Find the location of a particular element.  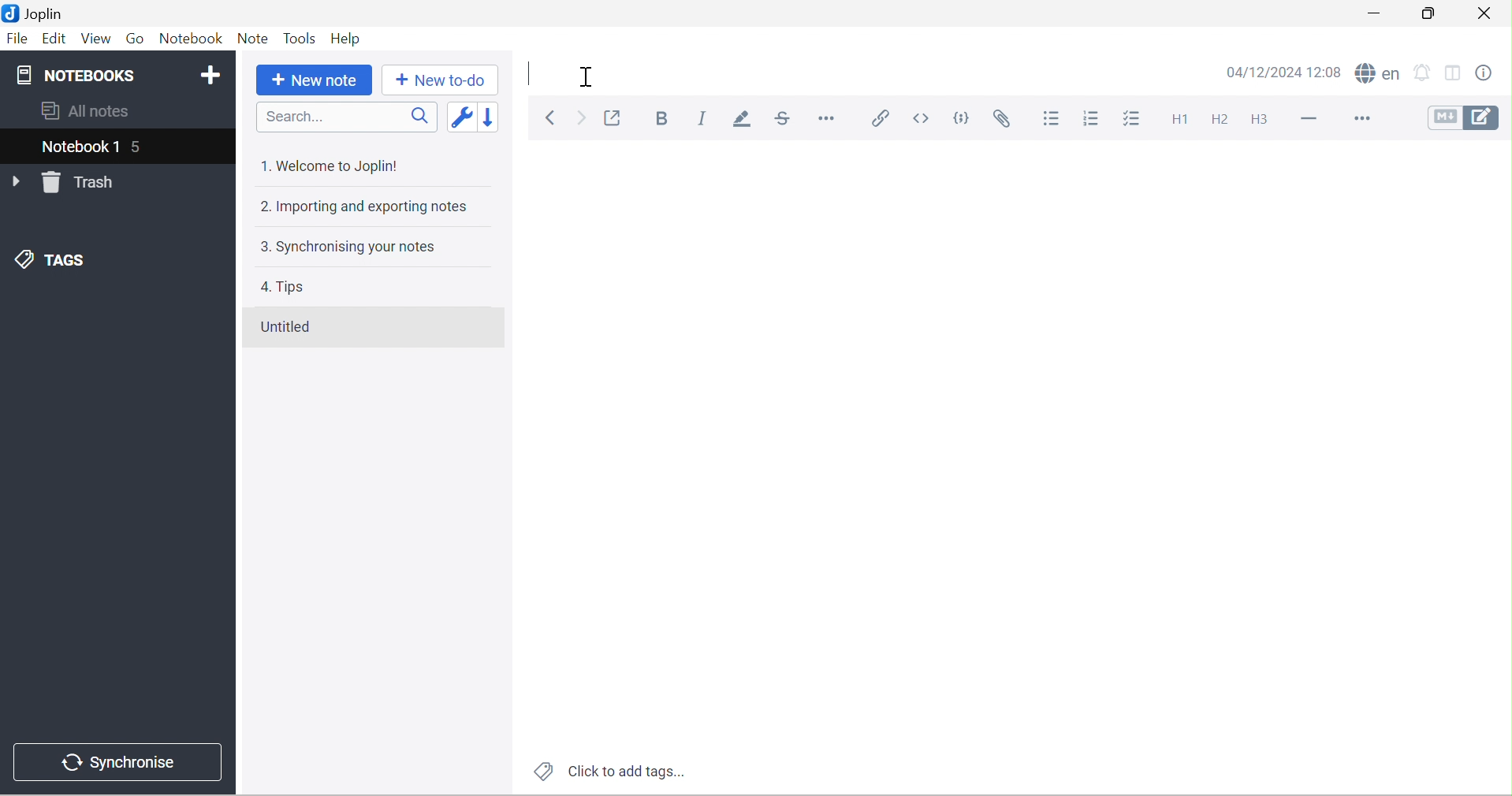

Bulleted list is located at coordinates (1052, 121).